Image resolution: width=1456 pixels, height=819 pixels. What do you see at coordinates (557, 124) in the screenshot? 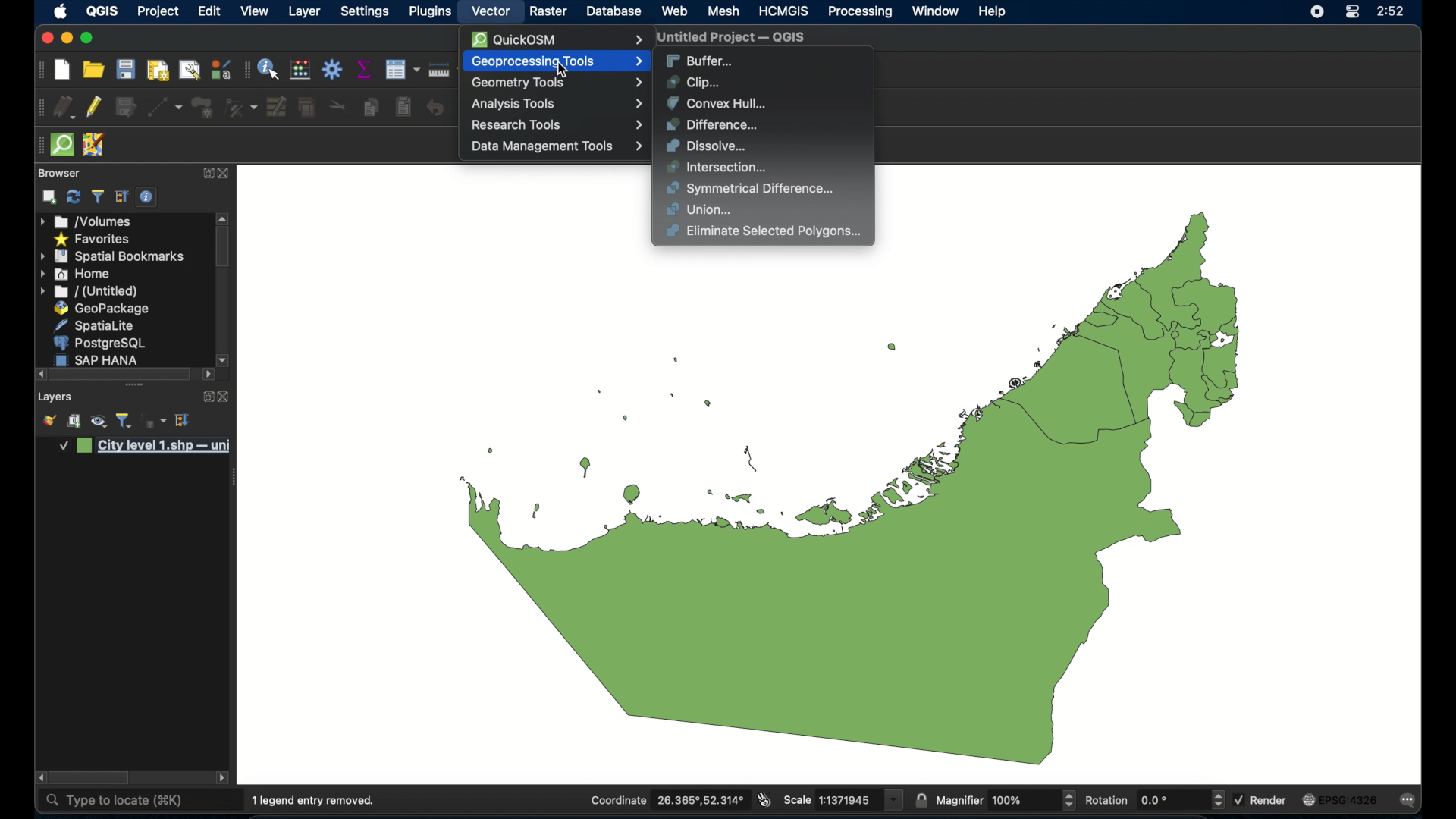
I see `research tools menu` at bounding box center [557, 124].